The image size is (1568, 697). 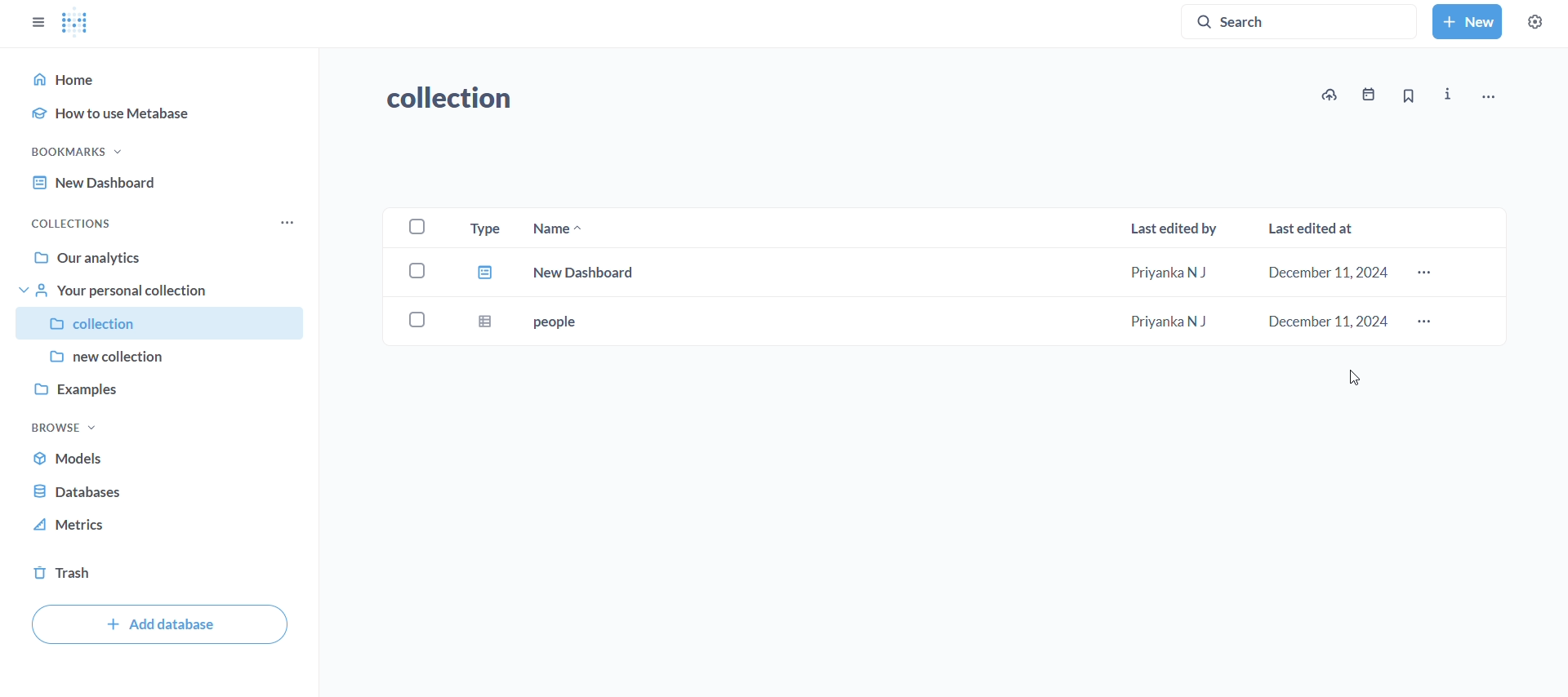 What do you see at coordinates (461, 99) in the screenshot?
I see `collection` at bounding box center [461, 99].